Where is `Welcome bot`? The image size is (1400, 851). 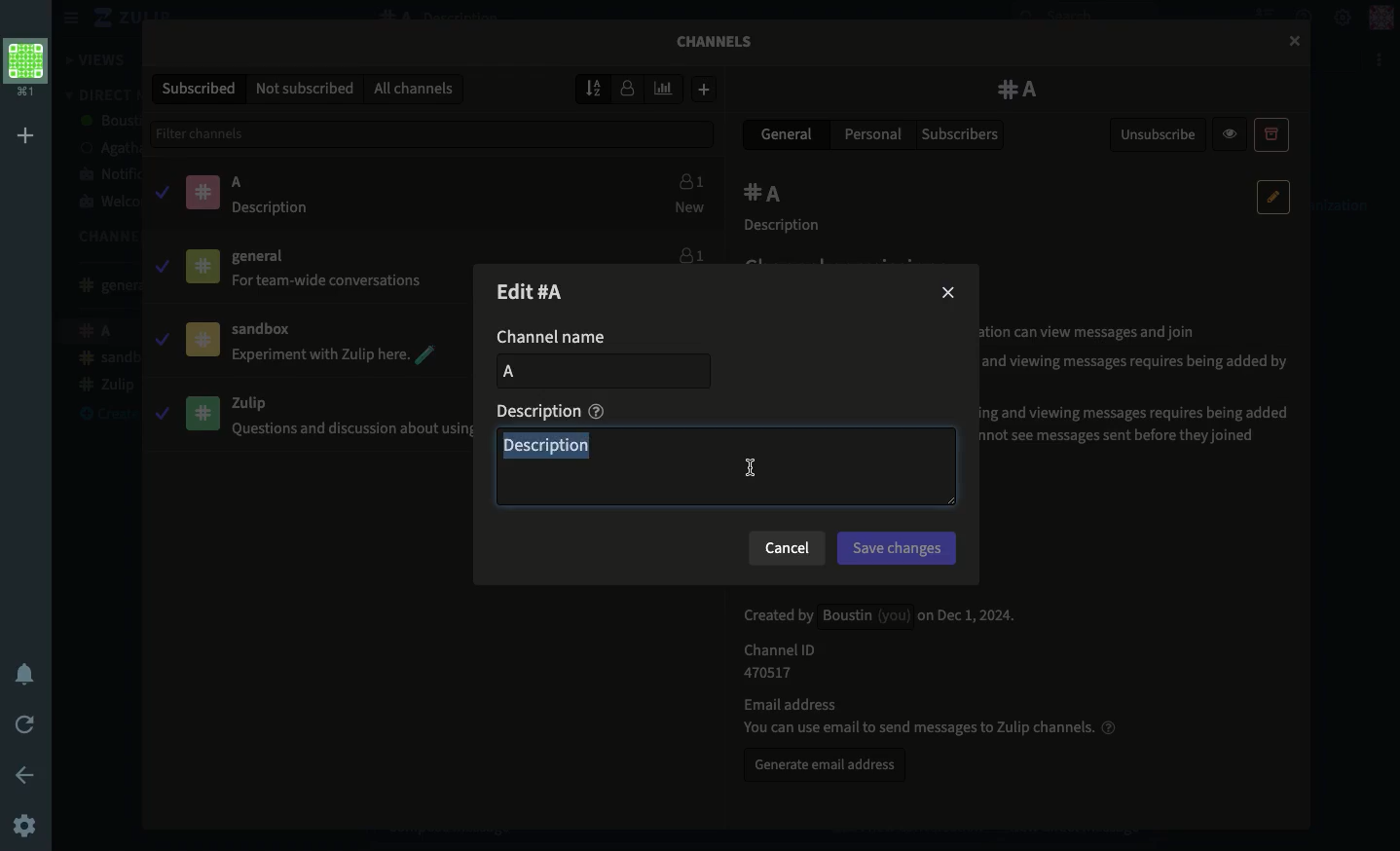
Welcome bot is located at coordinates (108, 203).